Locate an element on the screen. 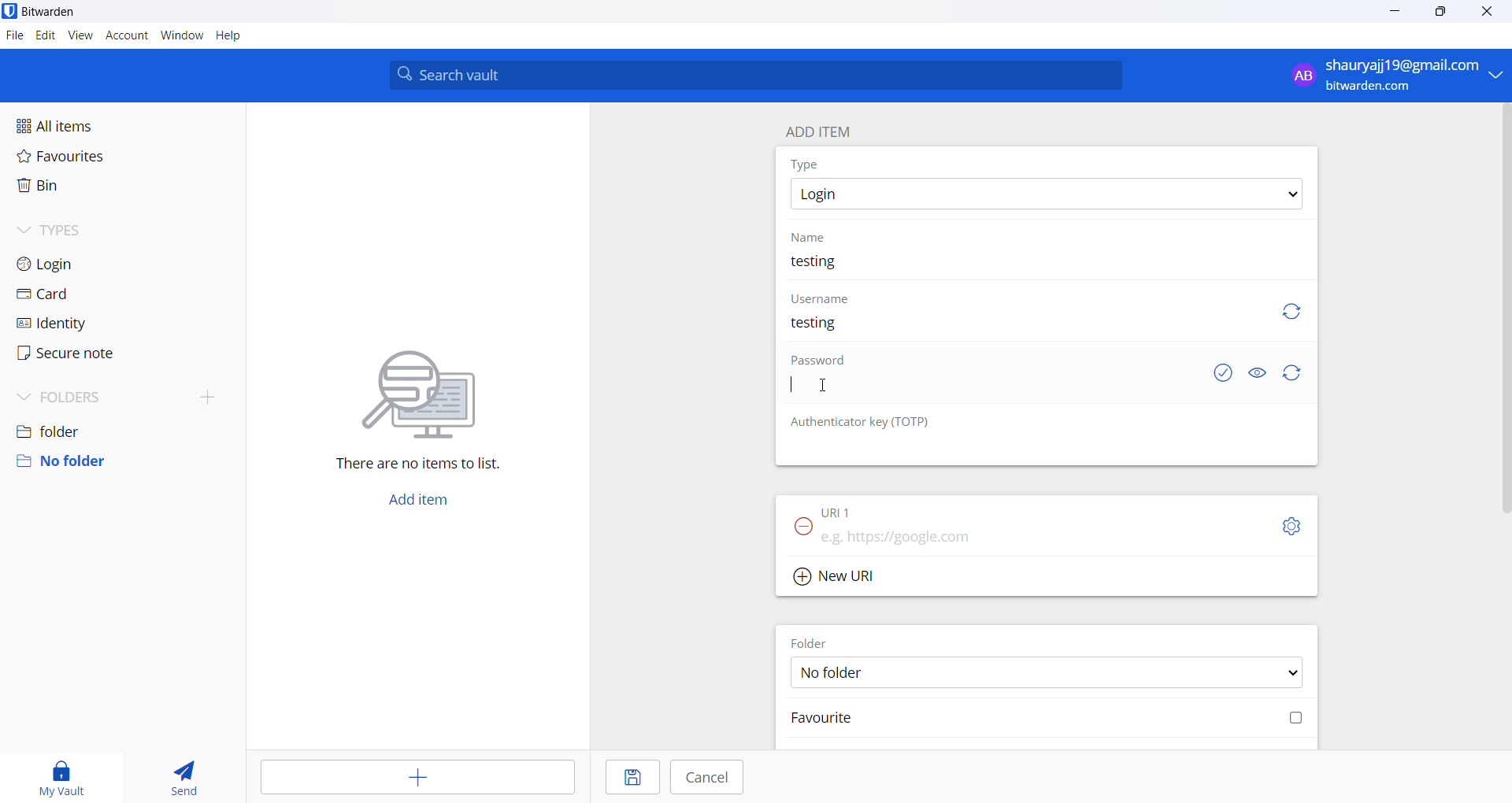 The height and width of the screenshot is (803, 1512). name heading is located at coordinates (814, 237).